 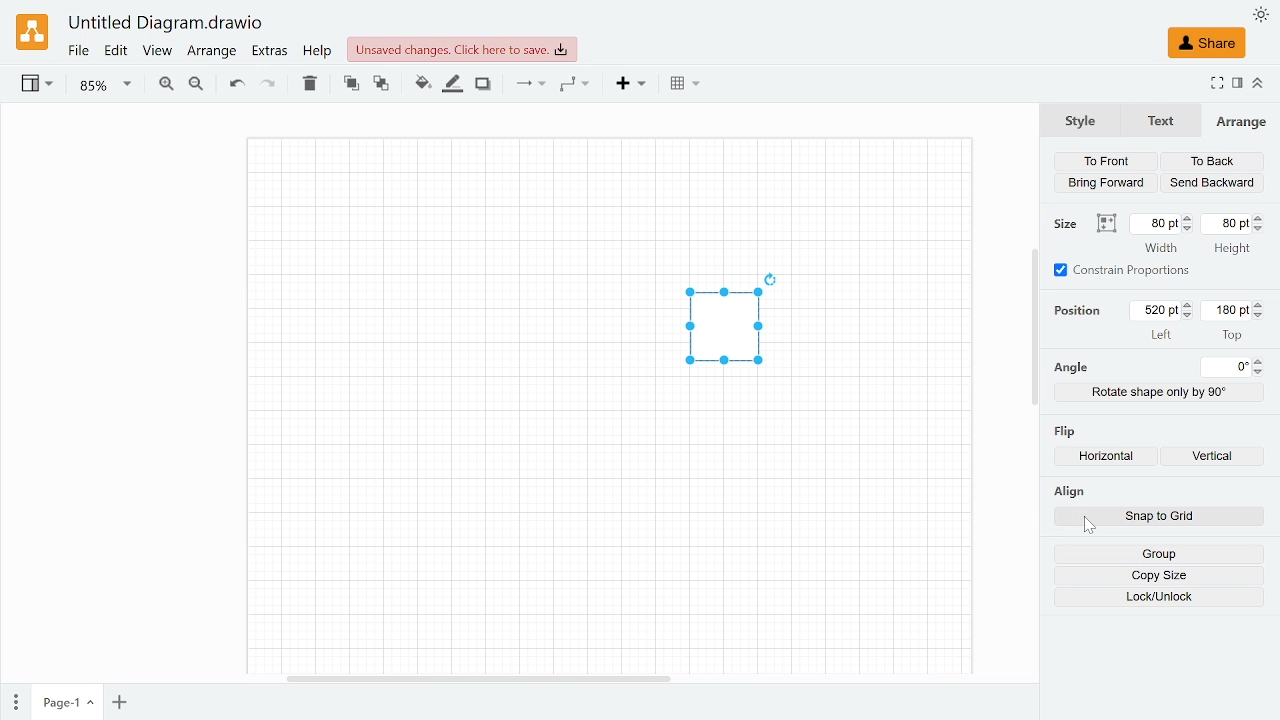 What do you see at coordinates (1106, 224) in the screenshot?
I see `Autosize` at bounding box center [1106, 224].